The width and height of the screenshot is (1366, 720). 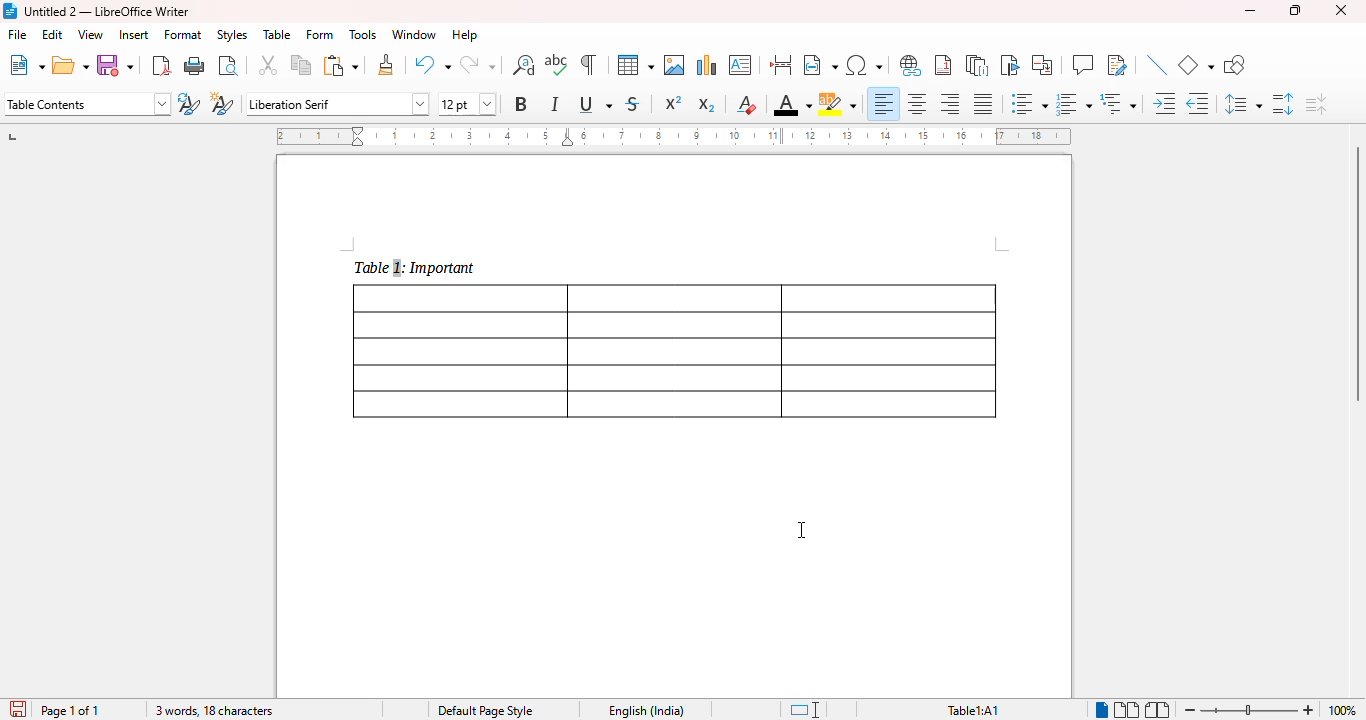 I want to click on save, so click(x=114, y=65).